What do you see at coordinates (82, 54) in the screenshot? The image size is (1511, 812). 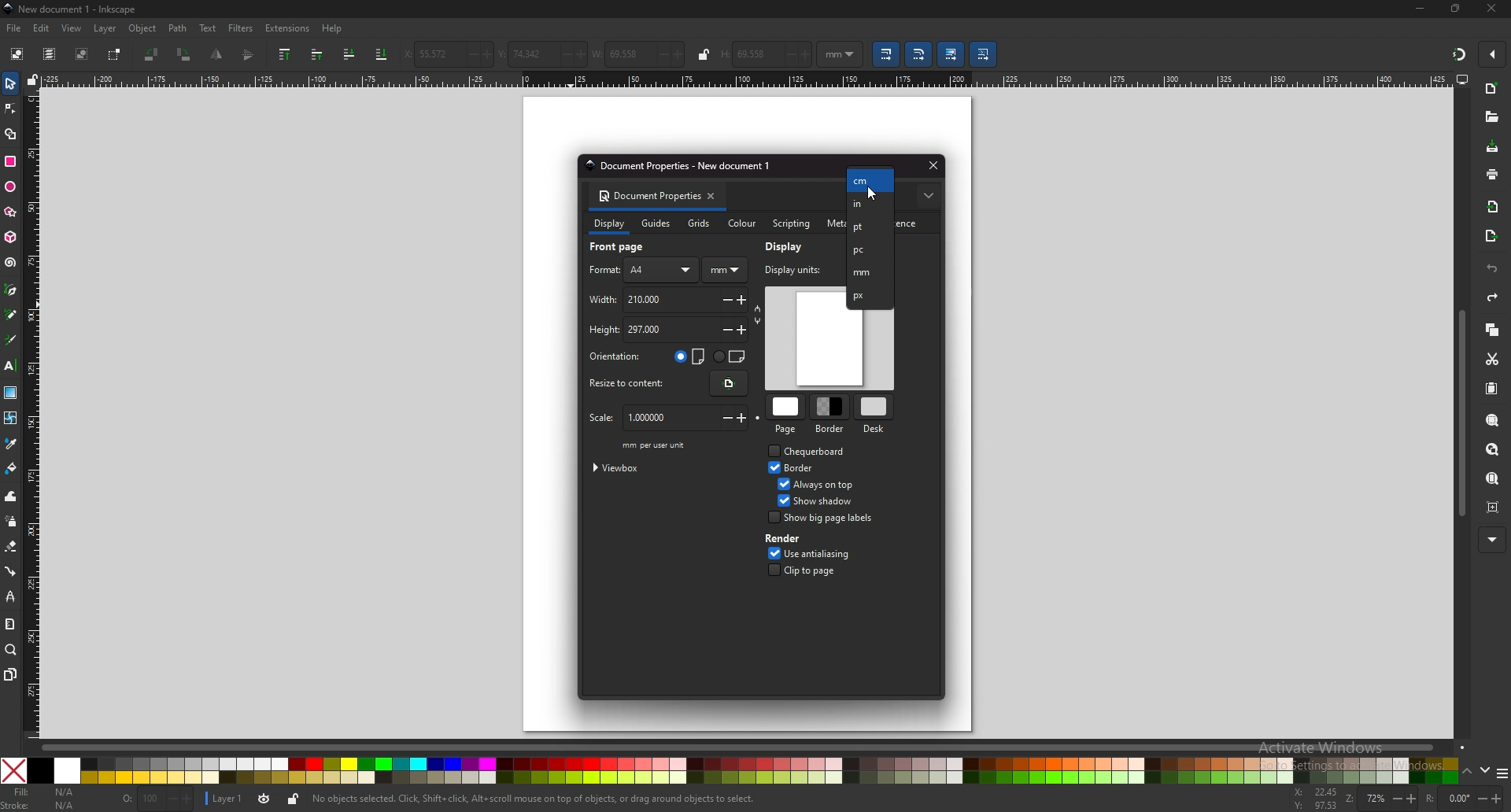 I see `deselect selected object` at bounding box center [82, 54].